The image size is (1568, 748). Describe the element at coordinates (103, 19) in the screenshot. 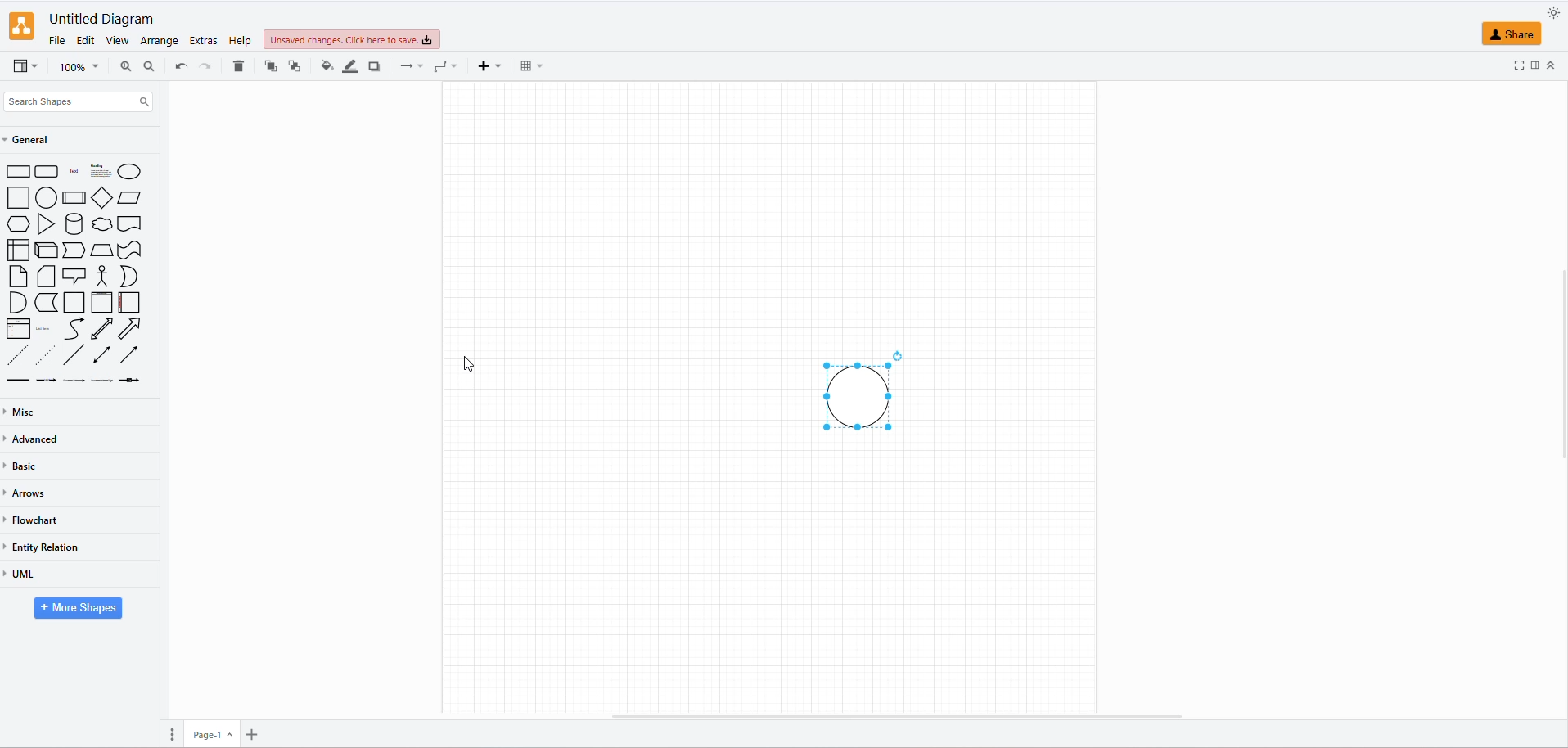

I see `FILE NAME` at that location.